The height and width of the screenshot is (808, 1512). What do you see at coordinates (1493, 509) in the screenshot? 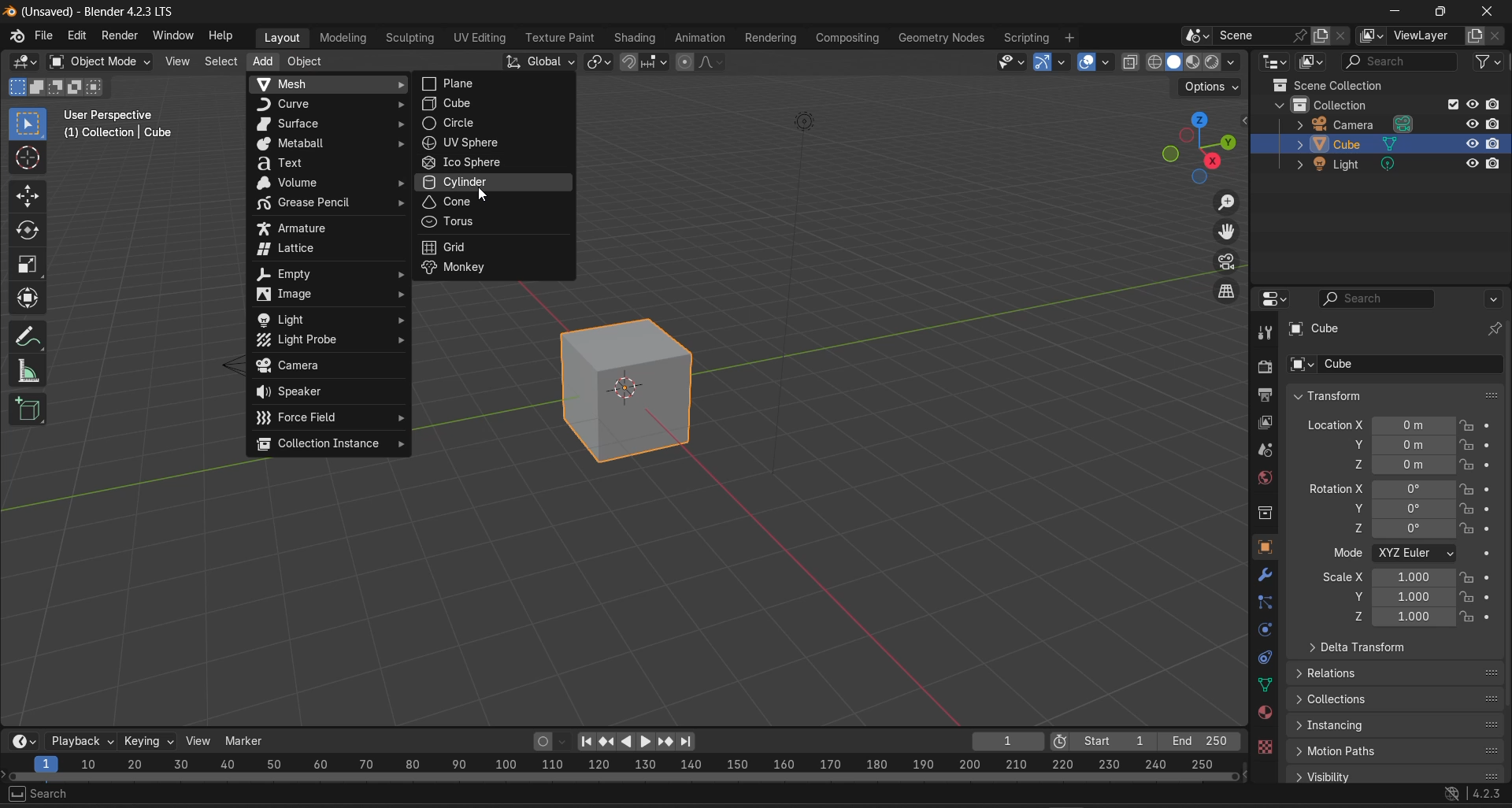
I see `animate property` at bounding box center [1493, 509].